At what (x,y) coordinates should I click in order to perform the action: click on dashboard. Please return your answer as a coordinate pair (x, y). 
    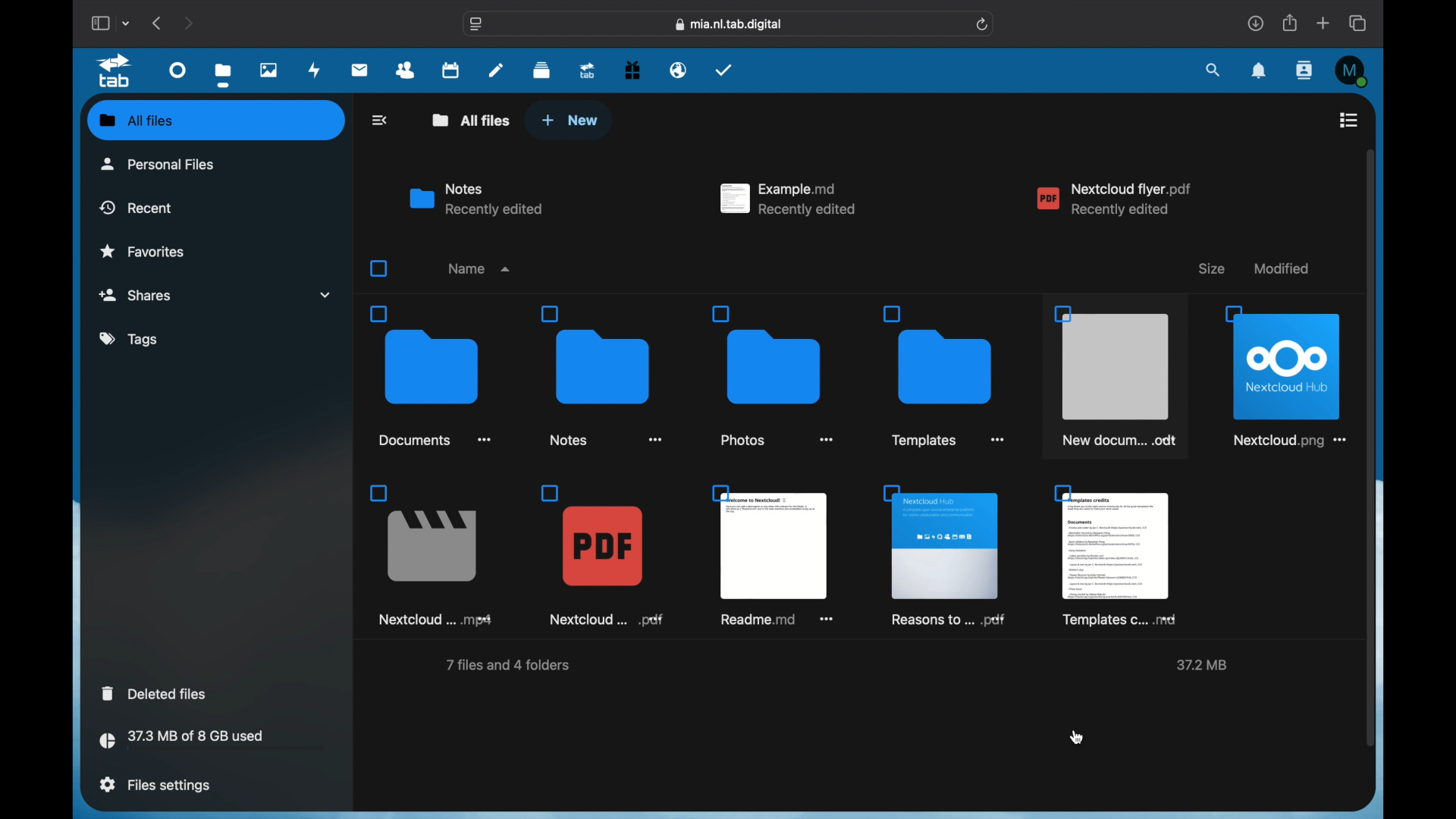
    Looking at the image, I should click on (179, 69).